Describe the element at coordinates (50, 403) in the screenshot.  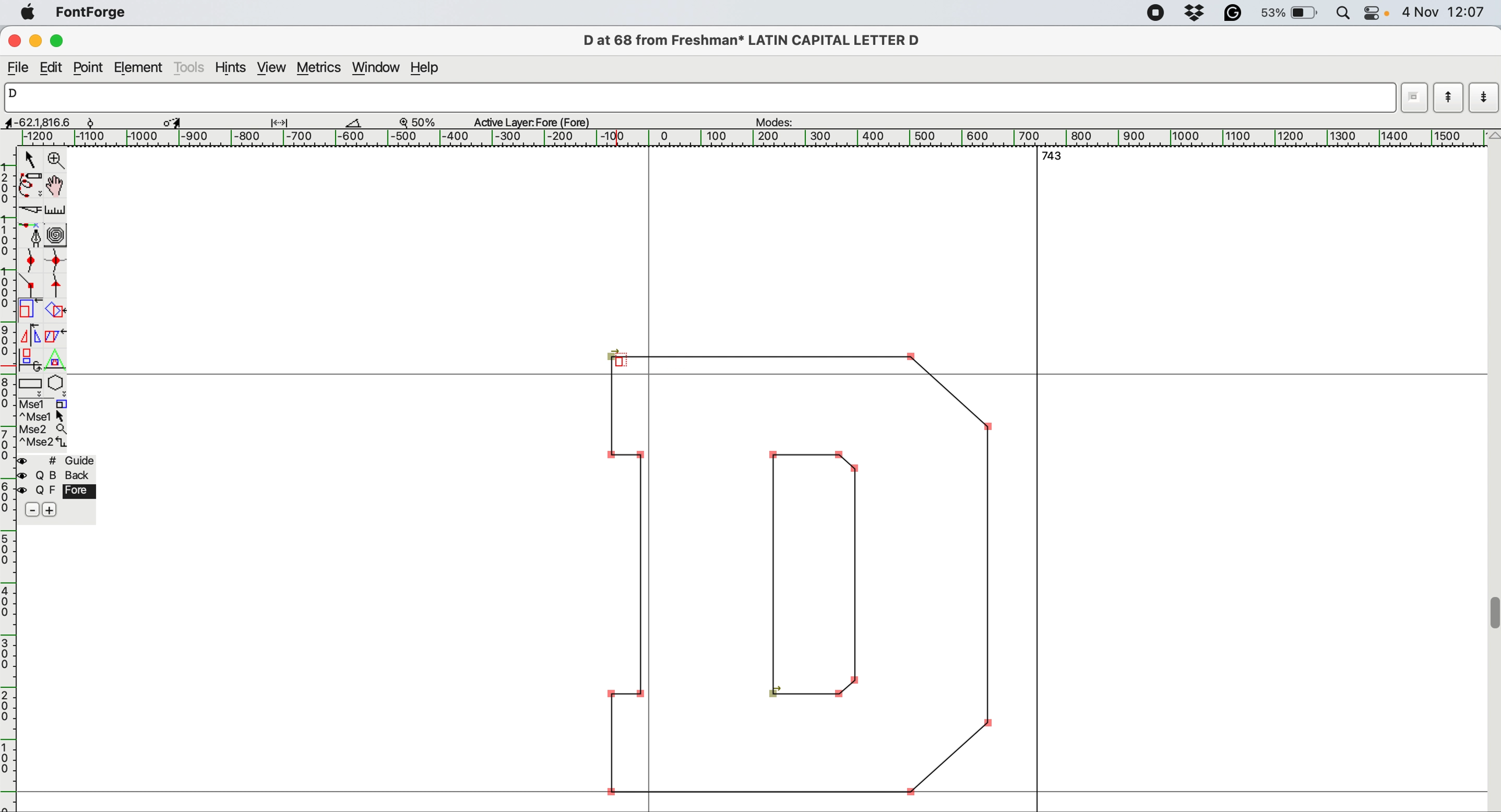
I see `Msel 1` at that location.